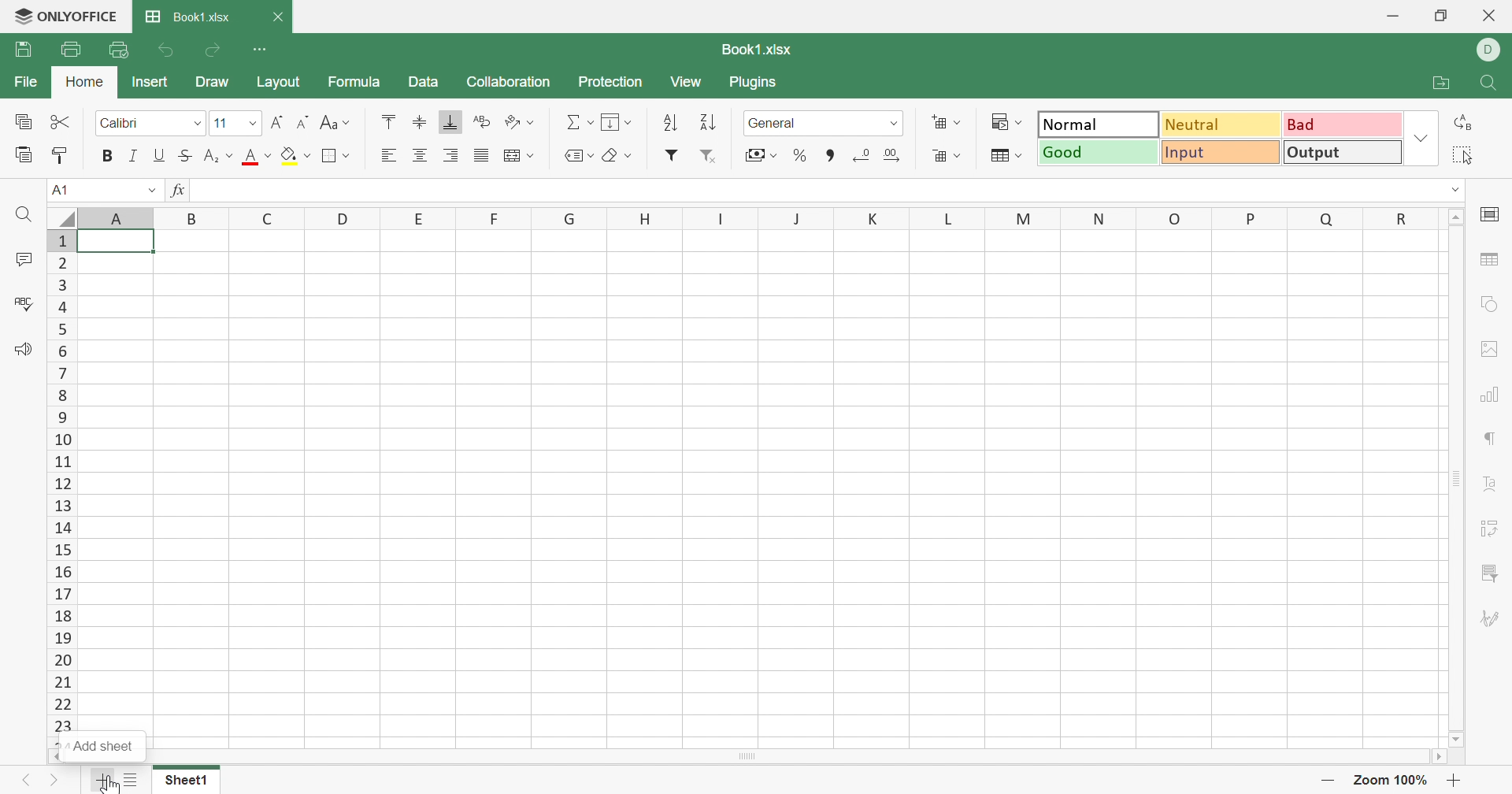  What do you see at coordinates (65, 308) in the screenshot?
I see `4` at bounding box center [65, 308].